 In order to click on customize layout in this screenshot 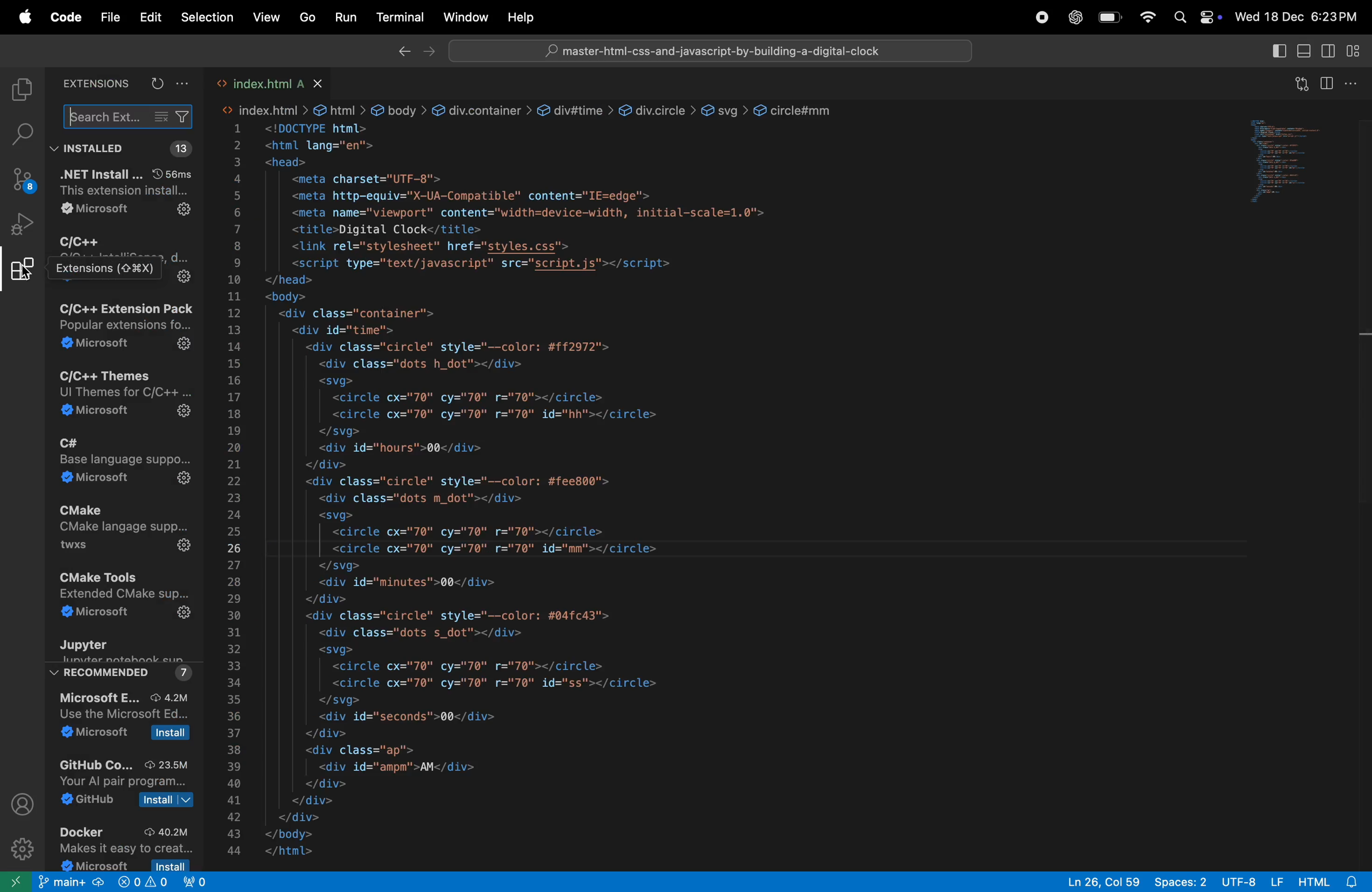, I will do `click(1358, 52)`.